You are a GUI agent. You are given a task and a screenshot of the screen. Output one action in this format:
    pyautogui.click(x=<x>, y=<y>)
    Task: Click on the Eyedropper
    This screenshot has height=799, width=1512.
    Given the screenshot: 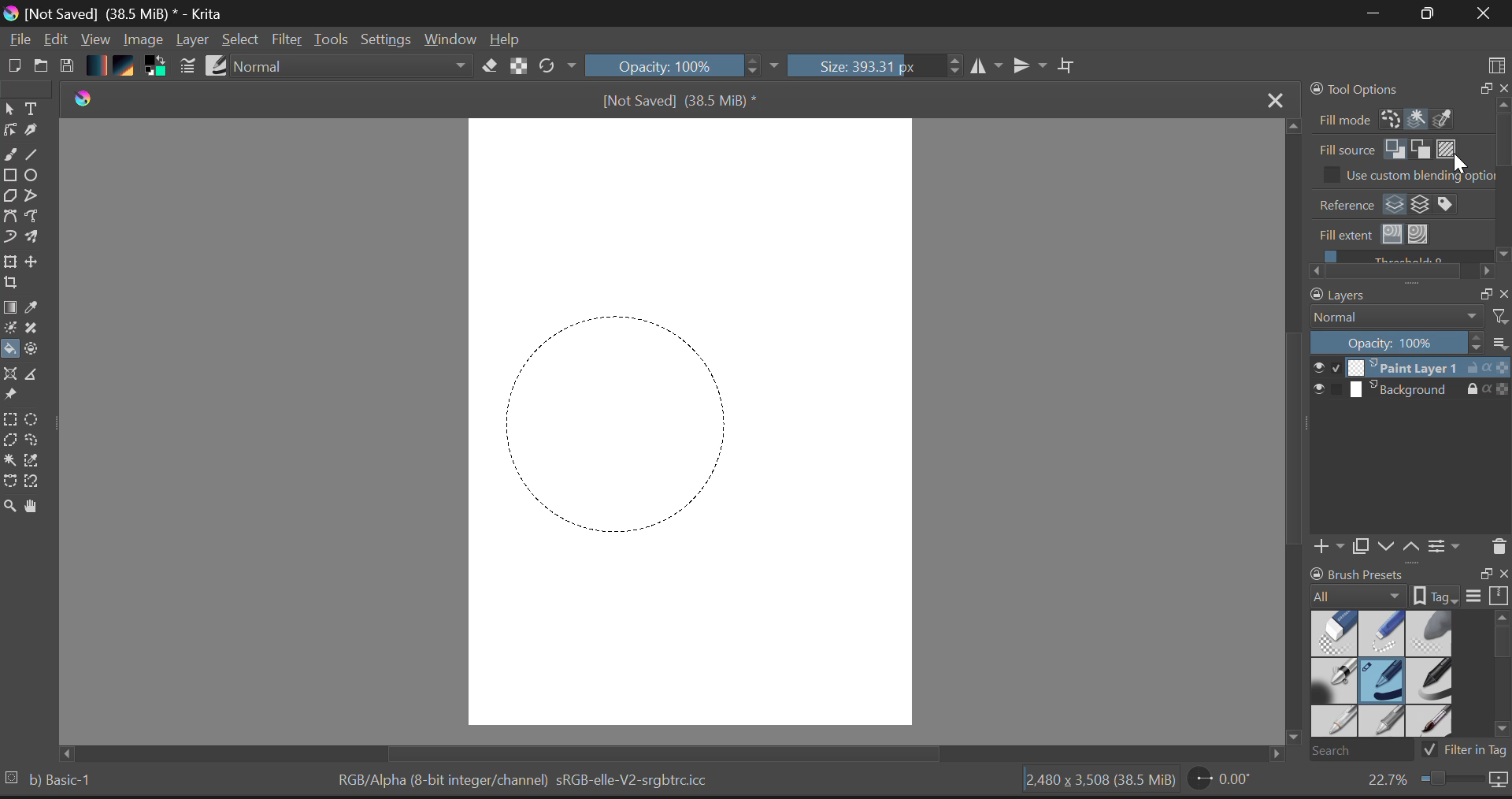 What is the action you would take?
    pyautogui.click(x=35, y=310)
    